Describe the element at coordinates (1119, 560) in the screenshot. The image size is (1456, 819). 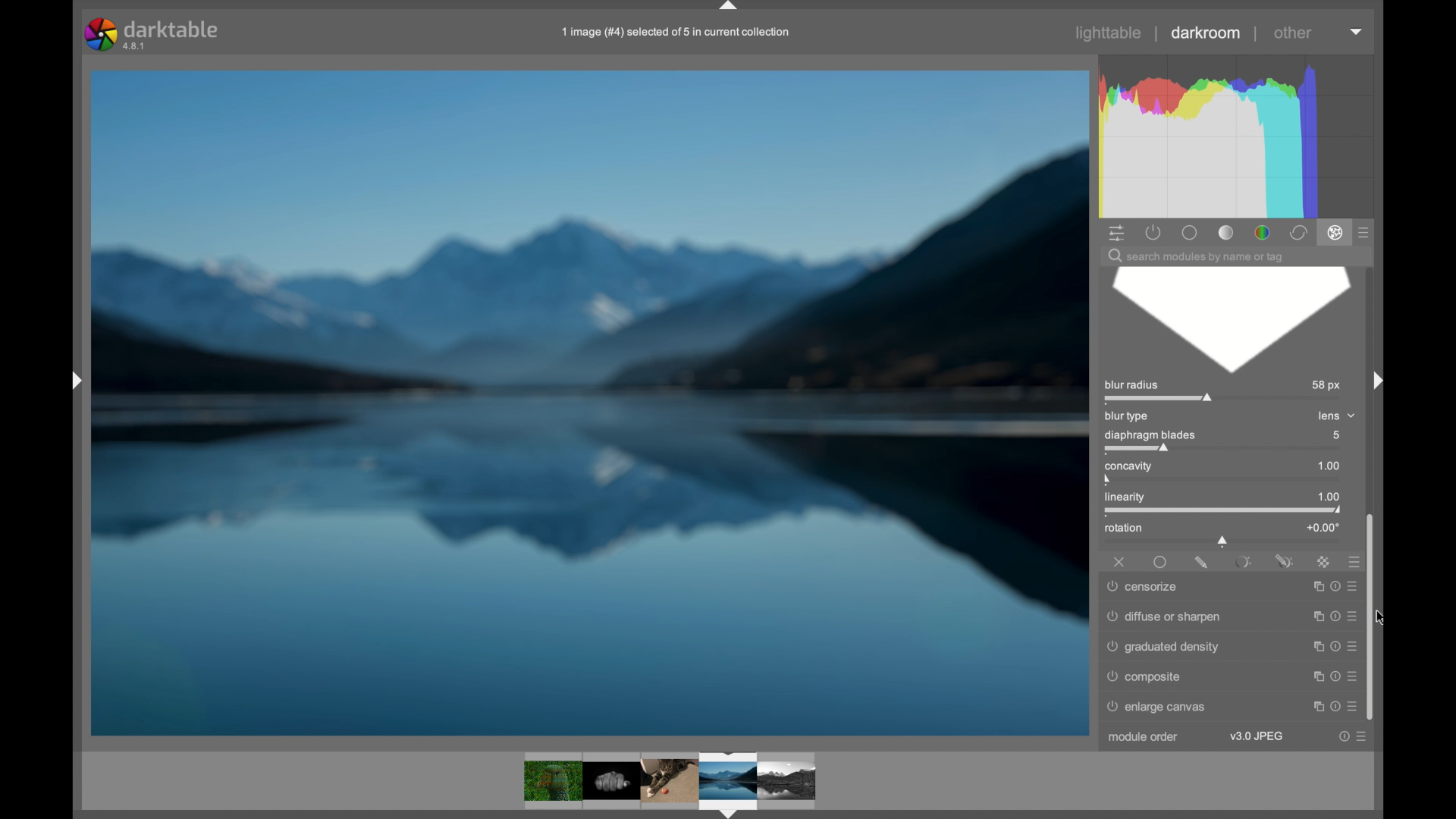
I see `off` at that location.